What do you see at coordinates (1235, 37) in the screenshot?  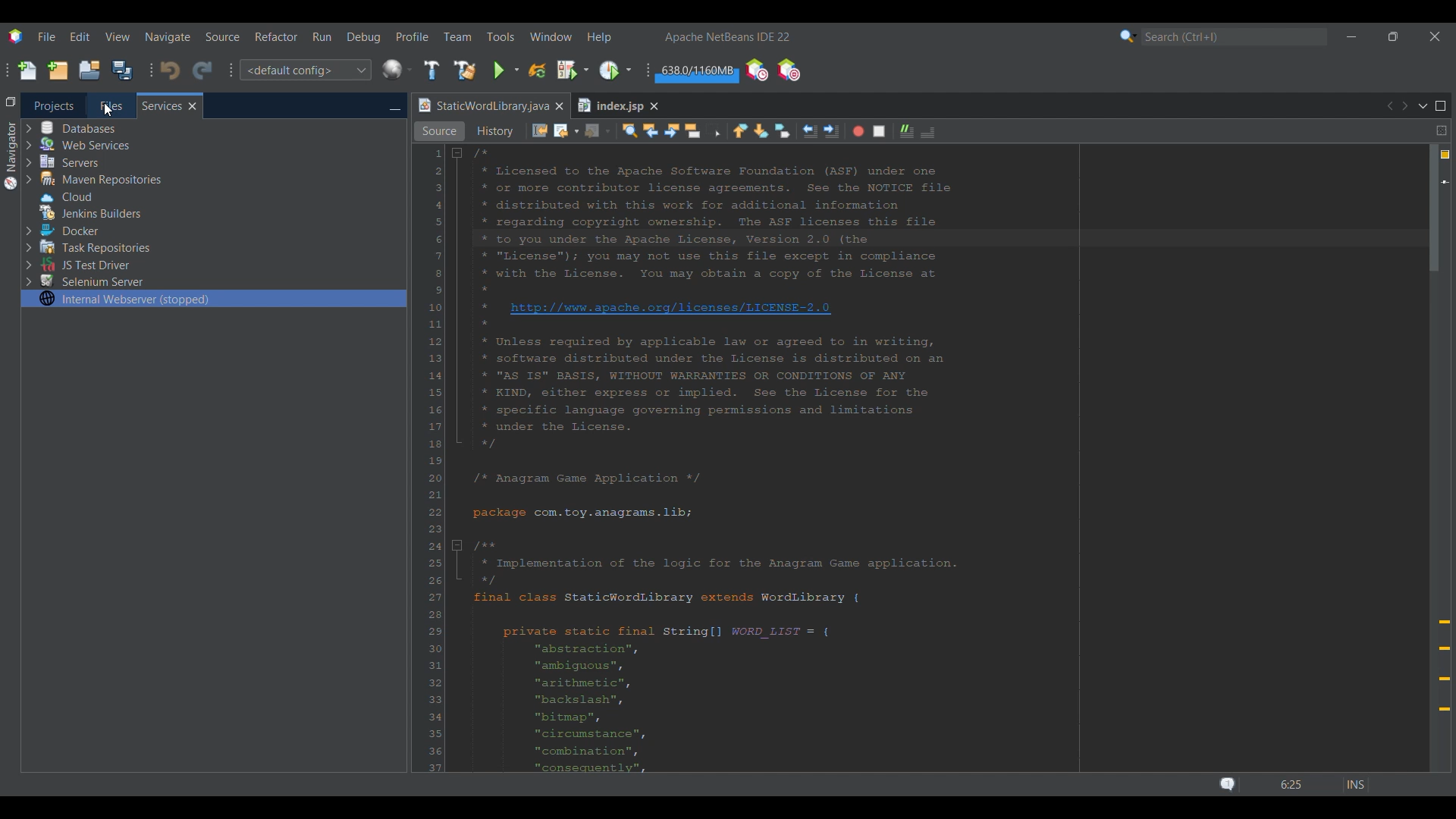 I see `Search` at bounding box center [1235, 37].